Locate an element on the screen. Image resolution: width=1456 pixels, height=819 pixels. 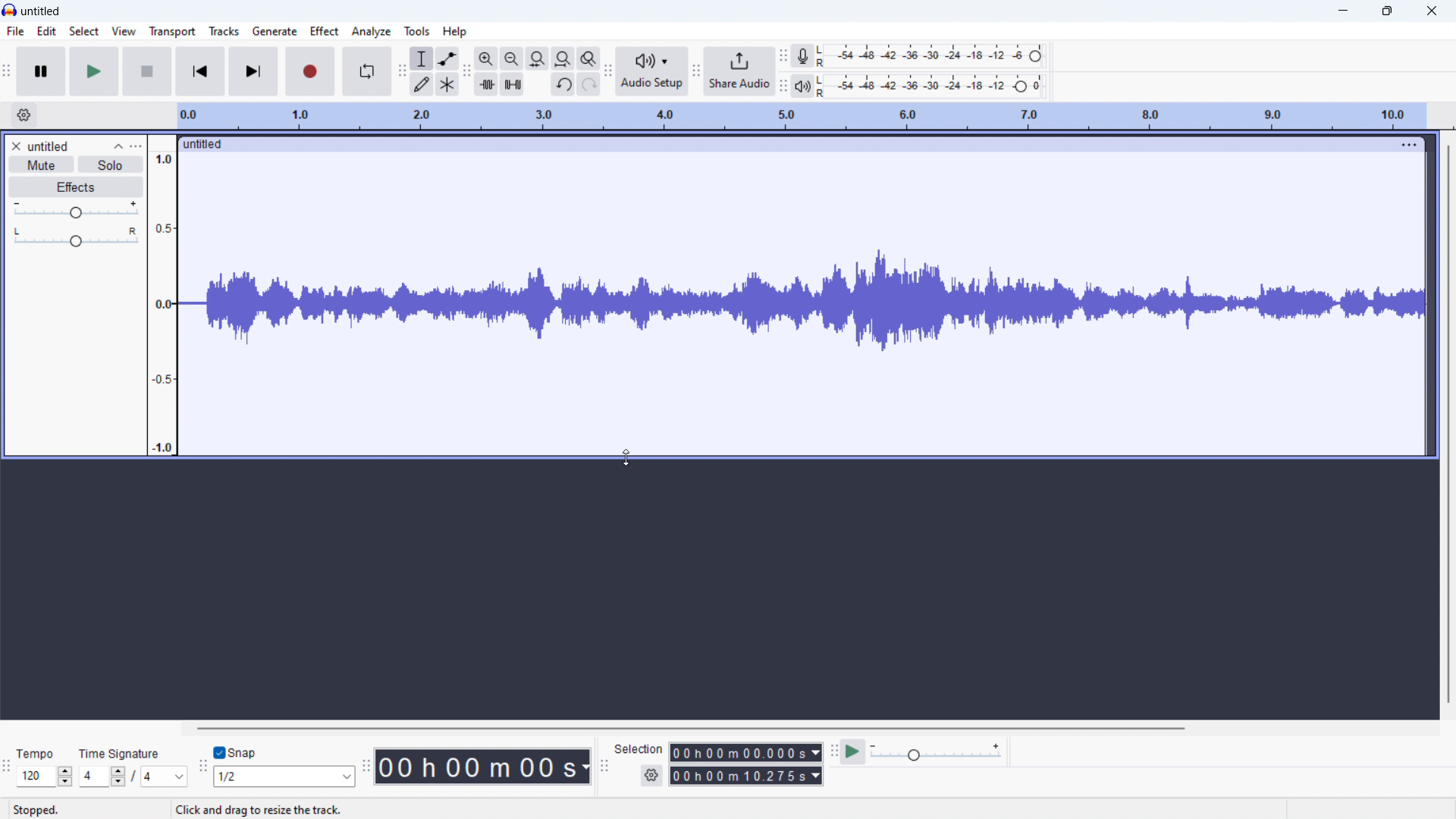
transport is located at coordinates (172, 31).